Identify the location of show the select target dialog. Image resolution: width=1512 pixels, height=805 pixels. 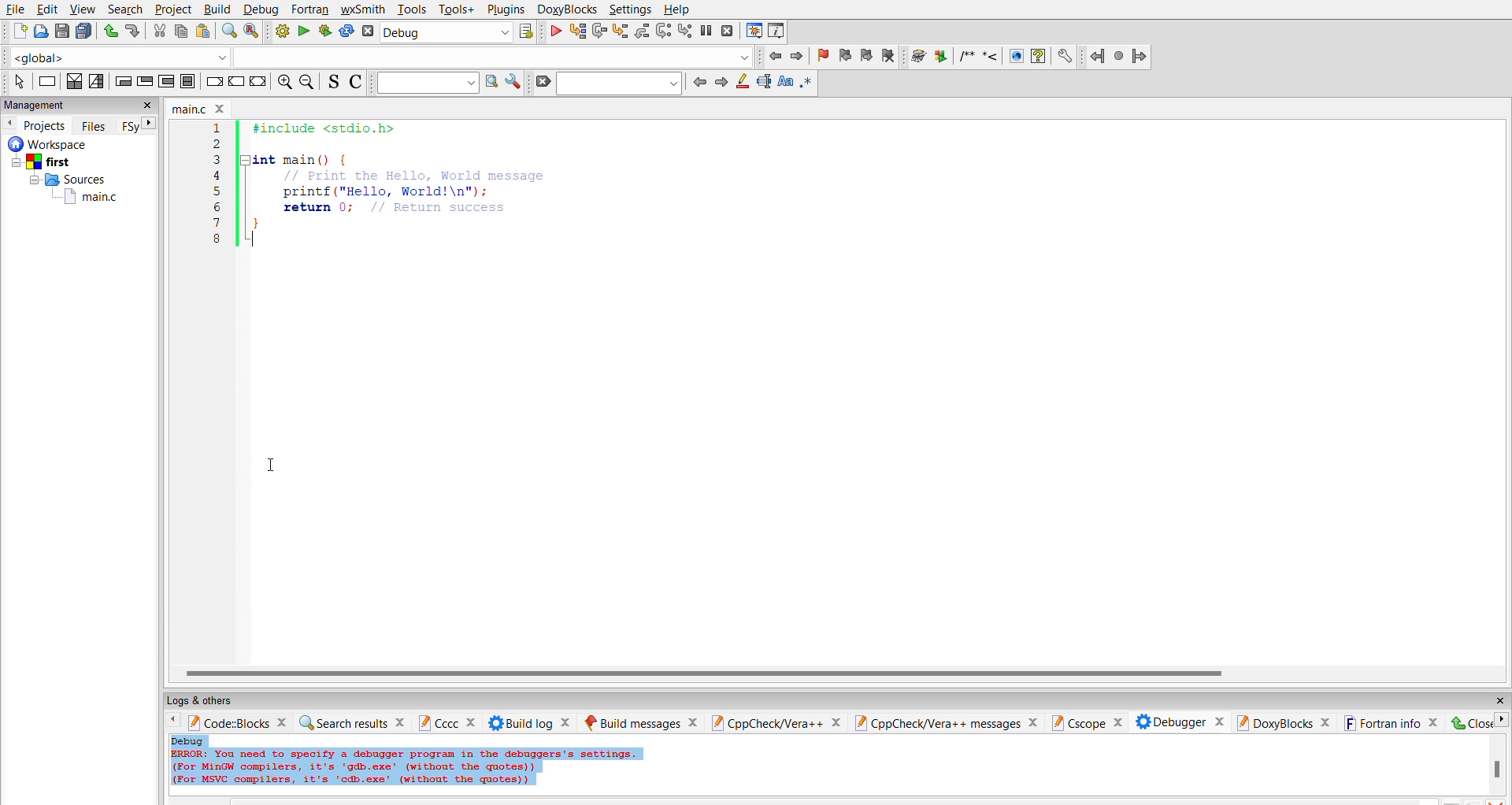
(531, 32).